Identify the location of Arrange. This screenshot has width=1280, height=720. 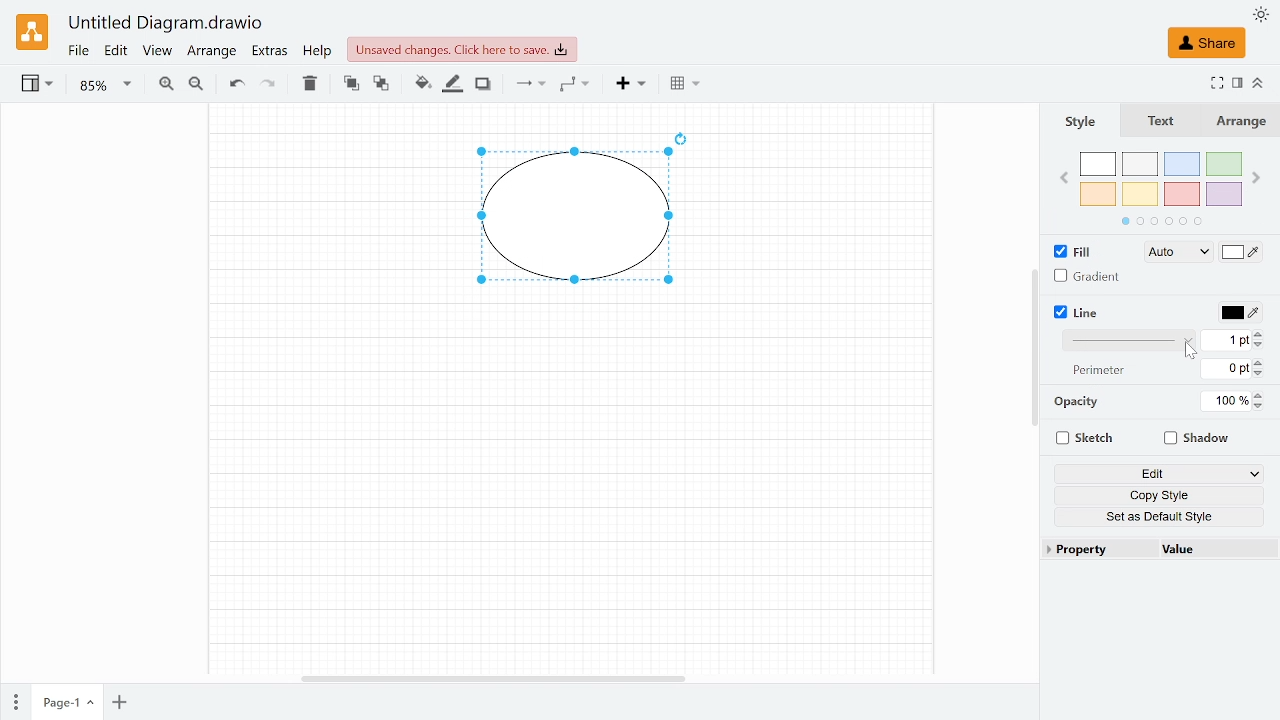
(1243, 122).